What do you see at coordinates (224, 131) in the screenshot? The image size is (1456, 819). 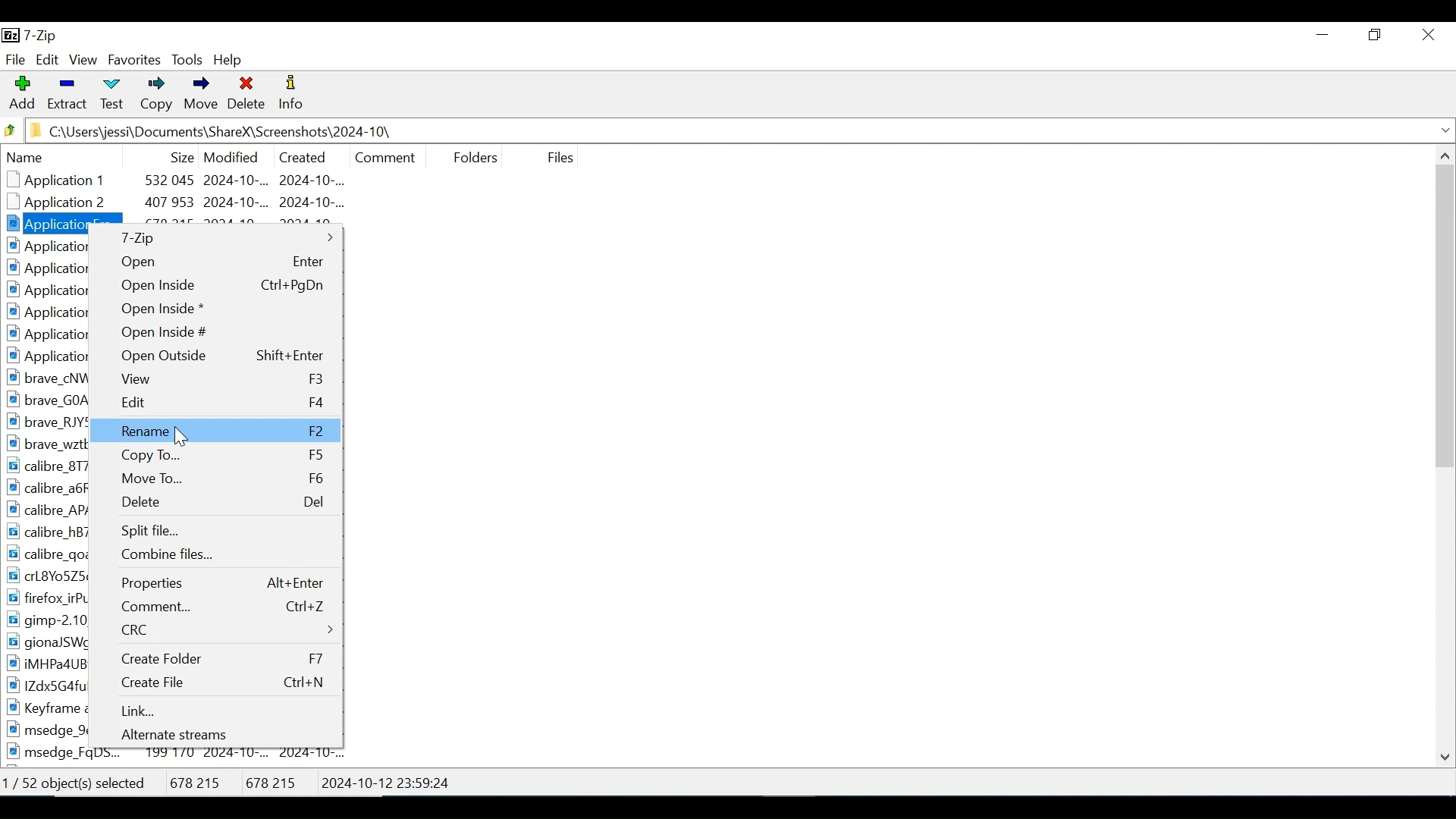 I see `C:\Users\jessi\Documents\ShareX\Screenshots\2024-10\` at bounding box center [224, 131].